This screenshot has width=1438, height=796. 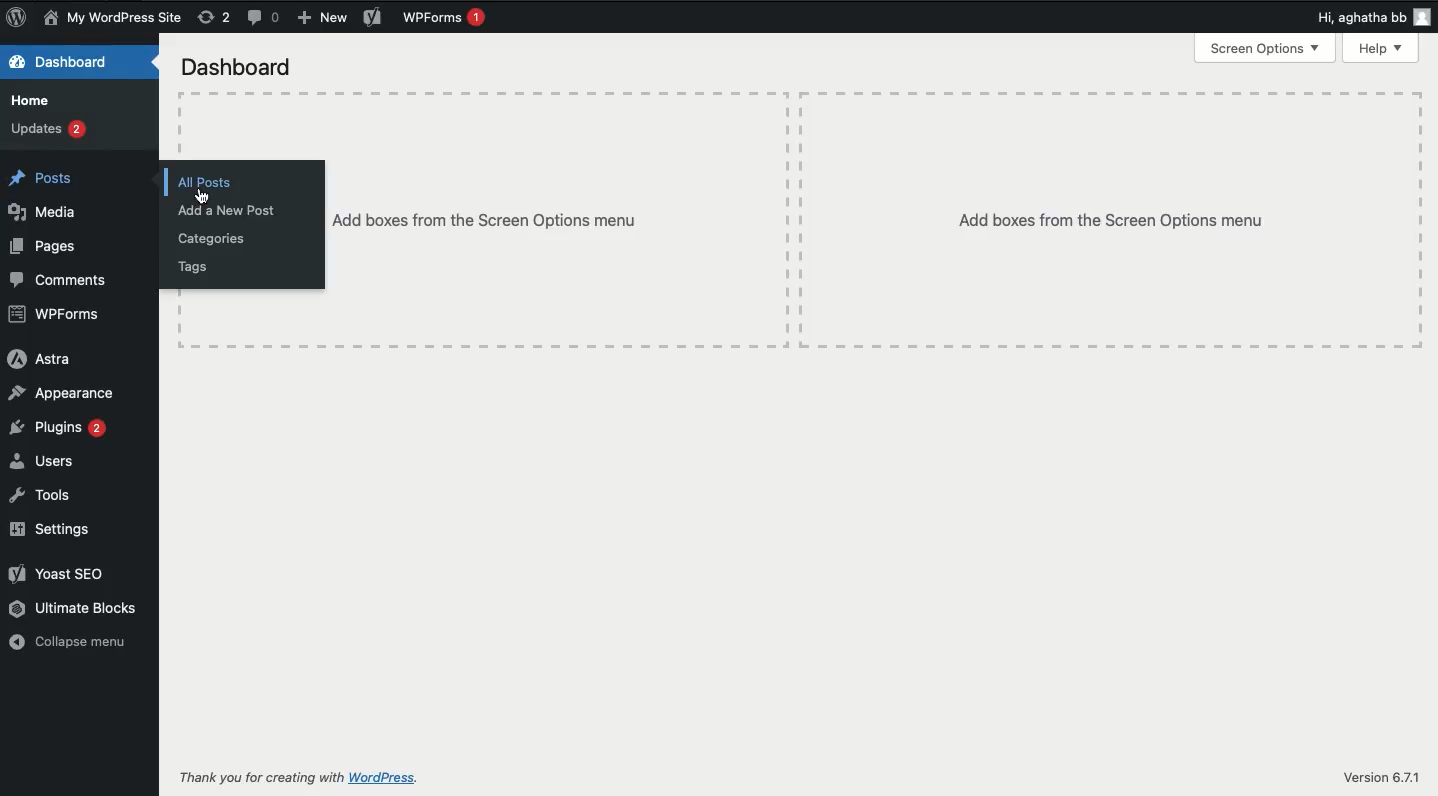 What do you see at coordinates (19, 19) in the screenshot?
I see `Logo` at bounding box center [19, 19].